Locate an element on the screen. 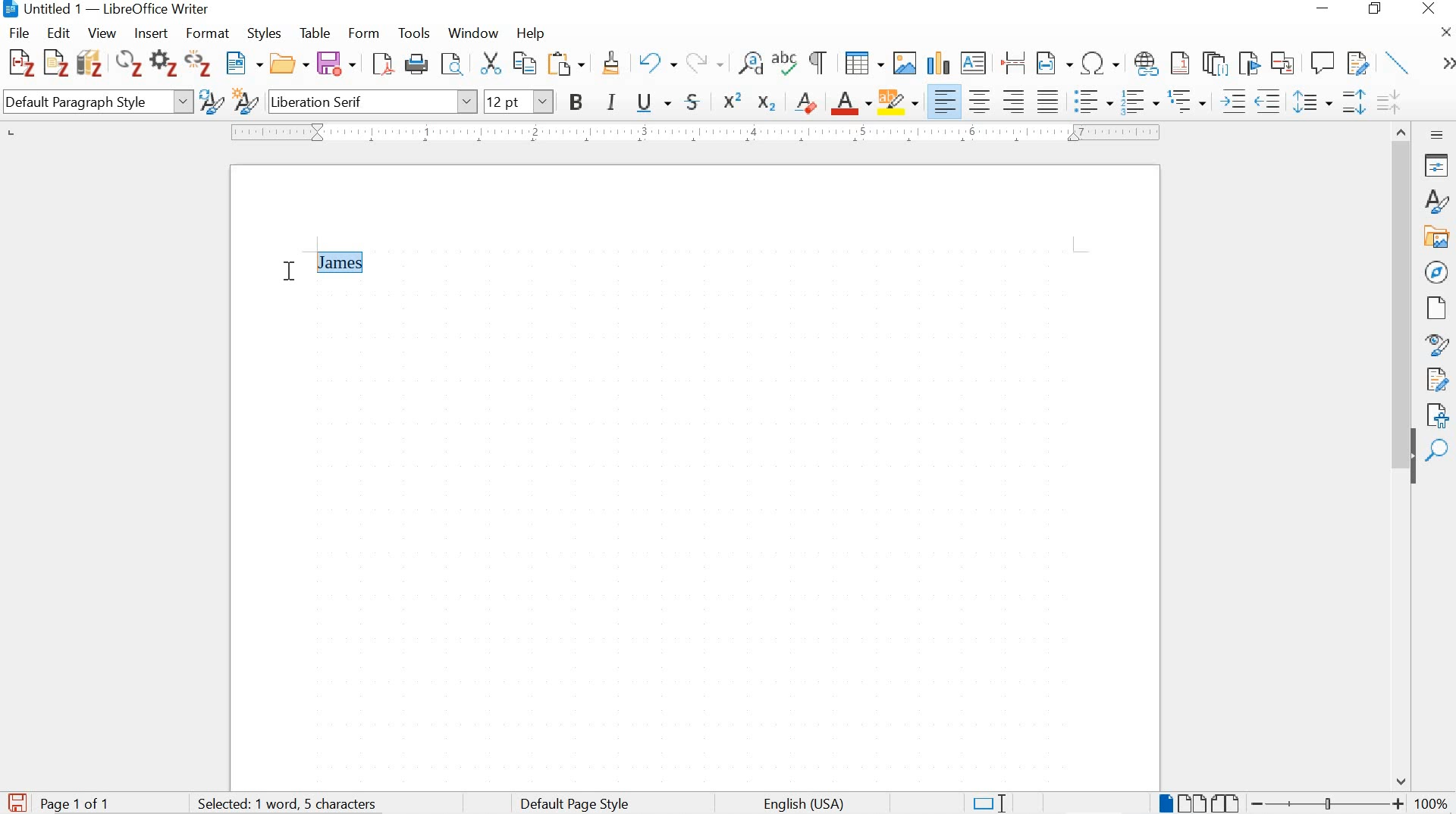 Image resolution: width=1456 pixels, height=814 pixels. new is located at coordinates (245, 64).